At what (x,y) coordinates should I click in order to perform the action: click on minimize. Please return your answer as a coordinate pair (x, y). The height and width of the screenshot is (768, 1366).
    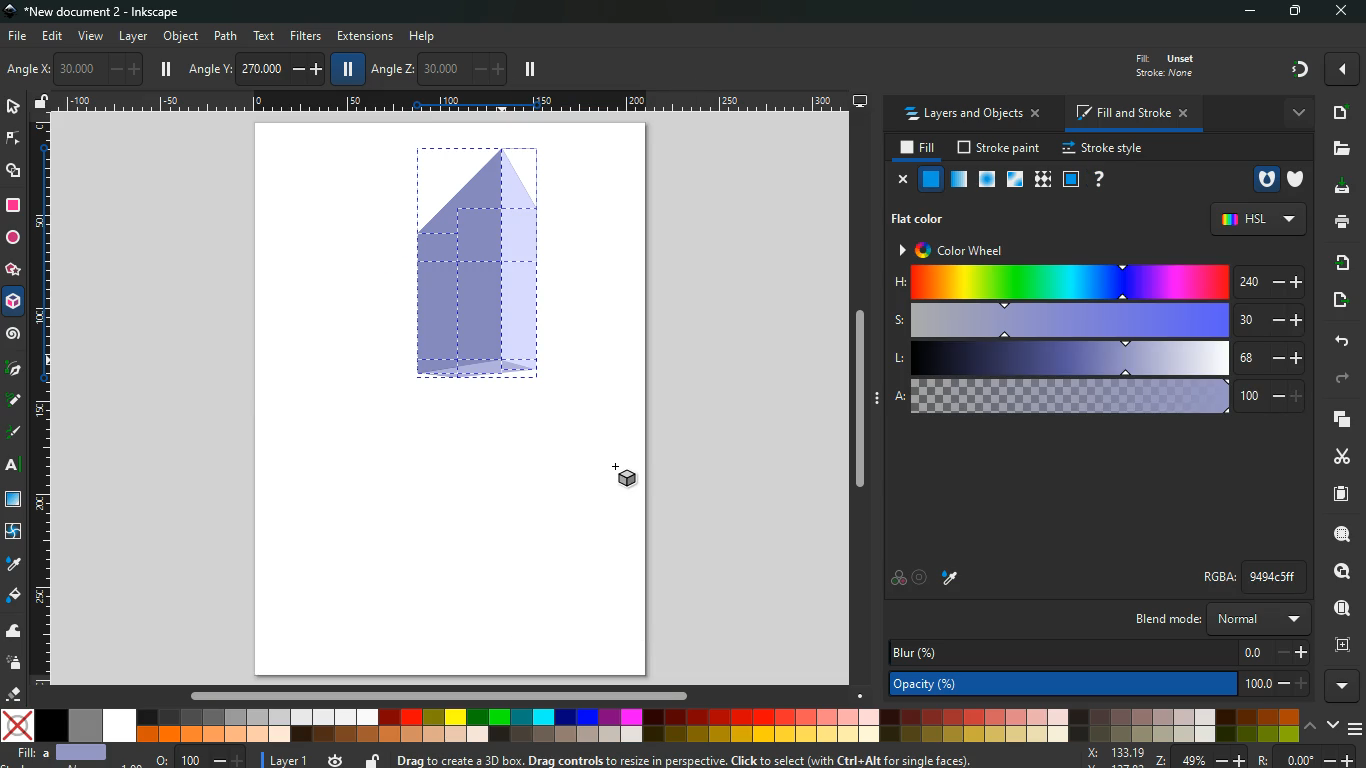
    Looking at the image, I should click on (1255, 12).